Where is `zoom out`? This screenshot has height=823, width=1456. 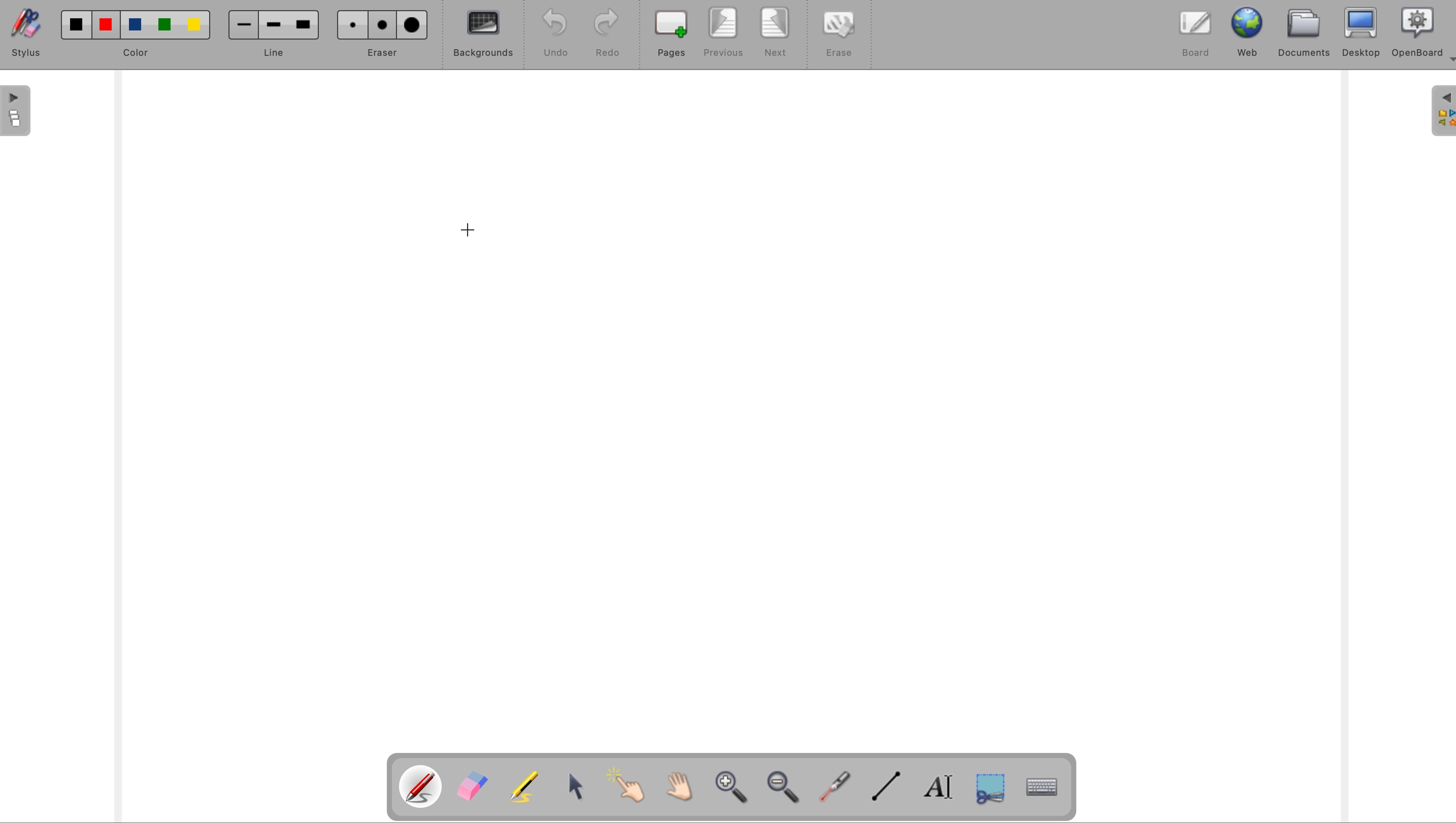
zoom out is located at coordinates (787, 789).